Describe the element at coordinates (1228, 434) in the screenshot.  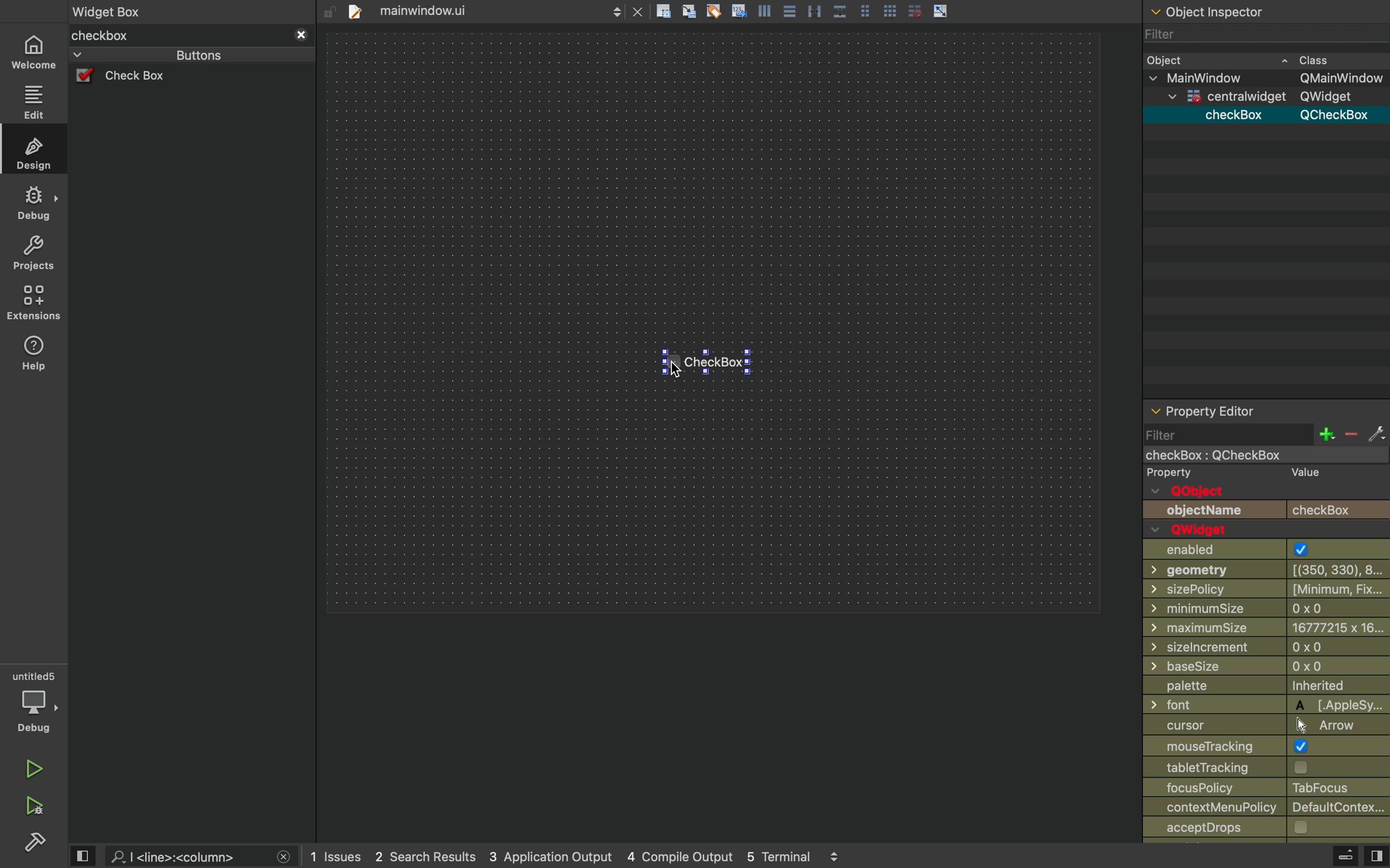
I see `filter` at that location.